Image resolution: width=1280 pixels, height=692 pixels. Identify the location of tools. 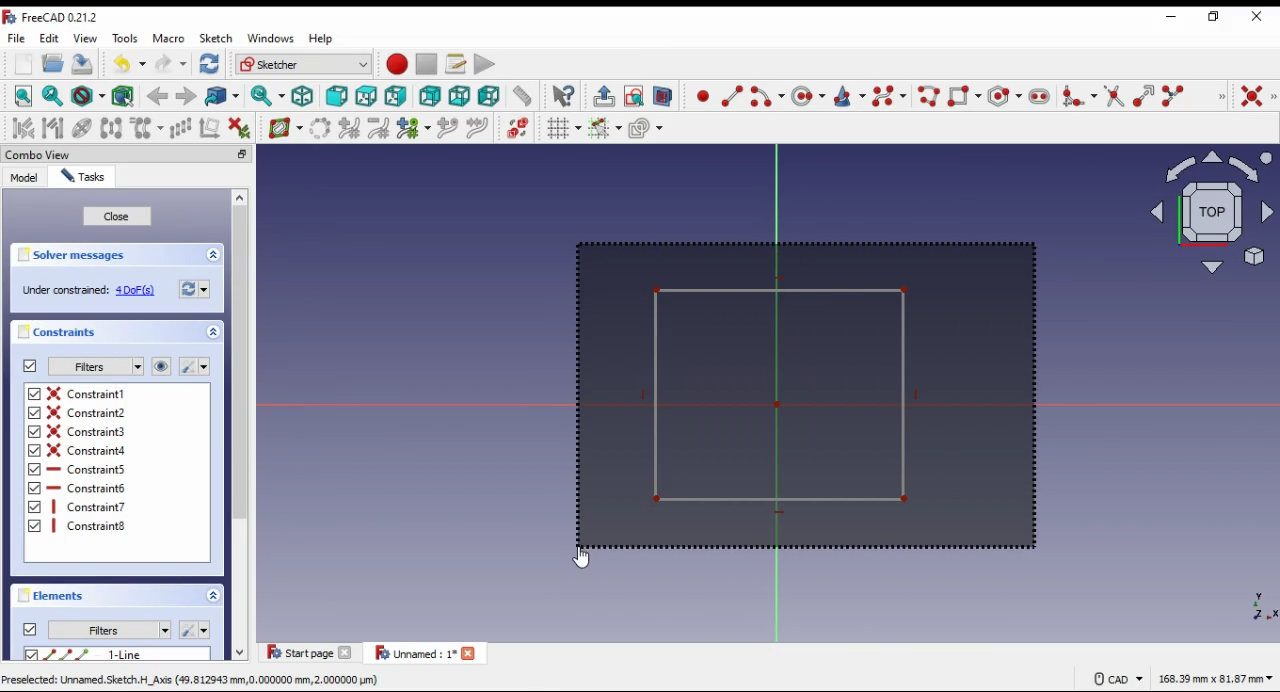
(125, 38).